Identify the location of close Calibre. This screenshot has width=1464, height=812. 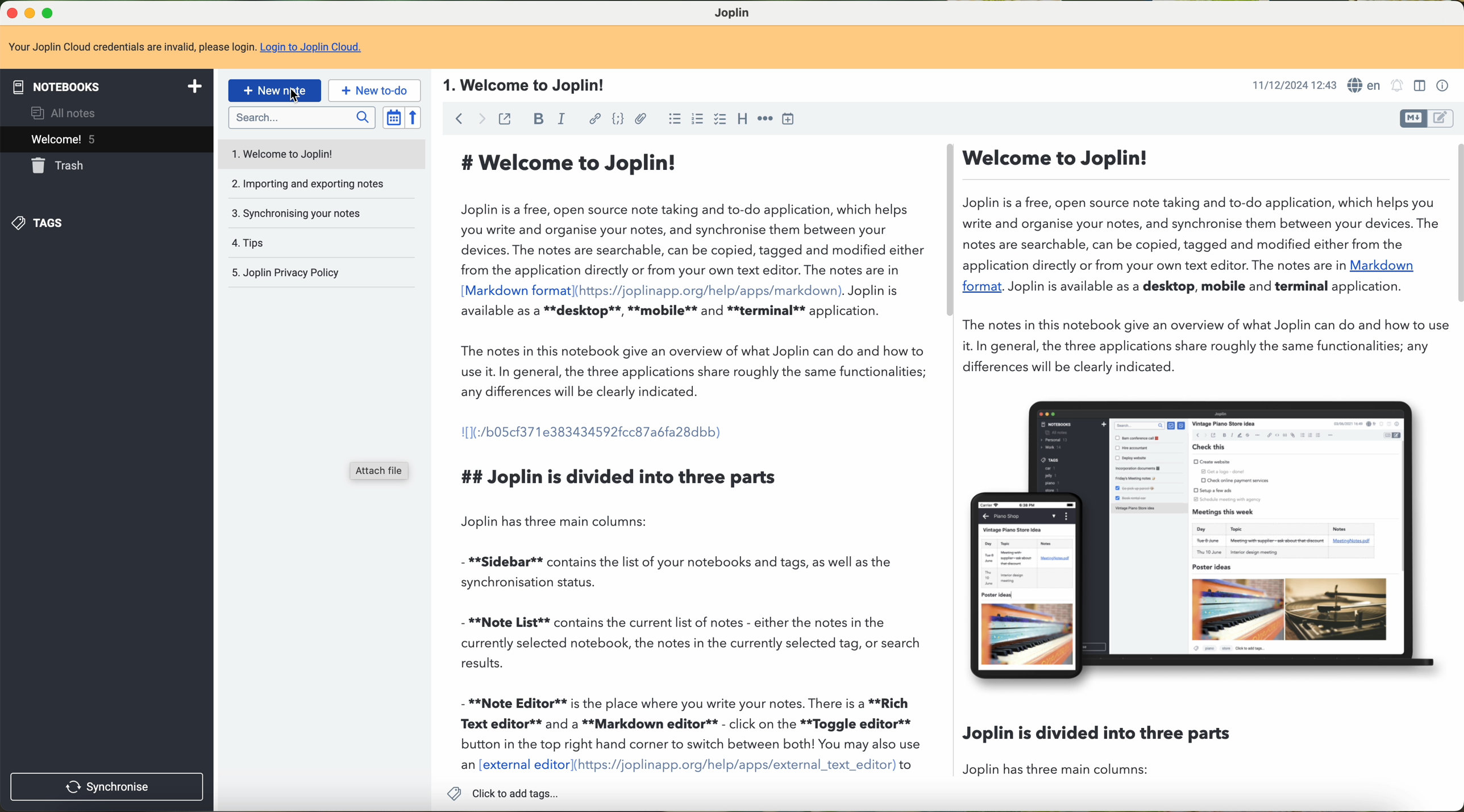
(11, 12).